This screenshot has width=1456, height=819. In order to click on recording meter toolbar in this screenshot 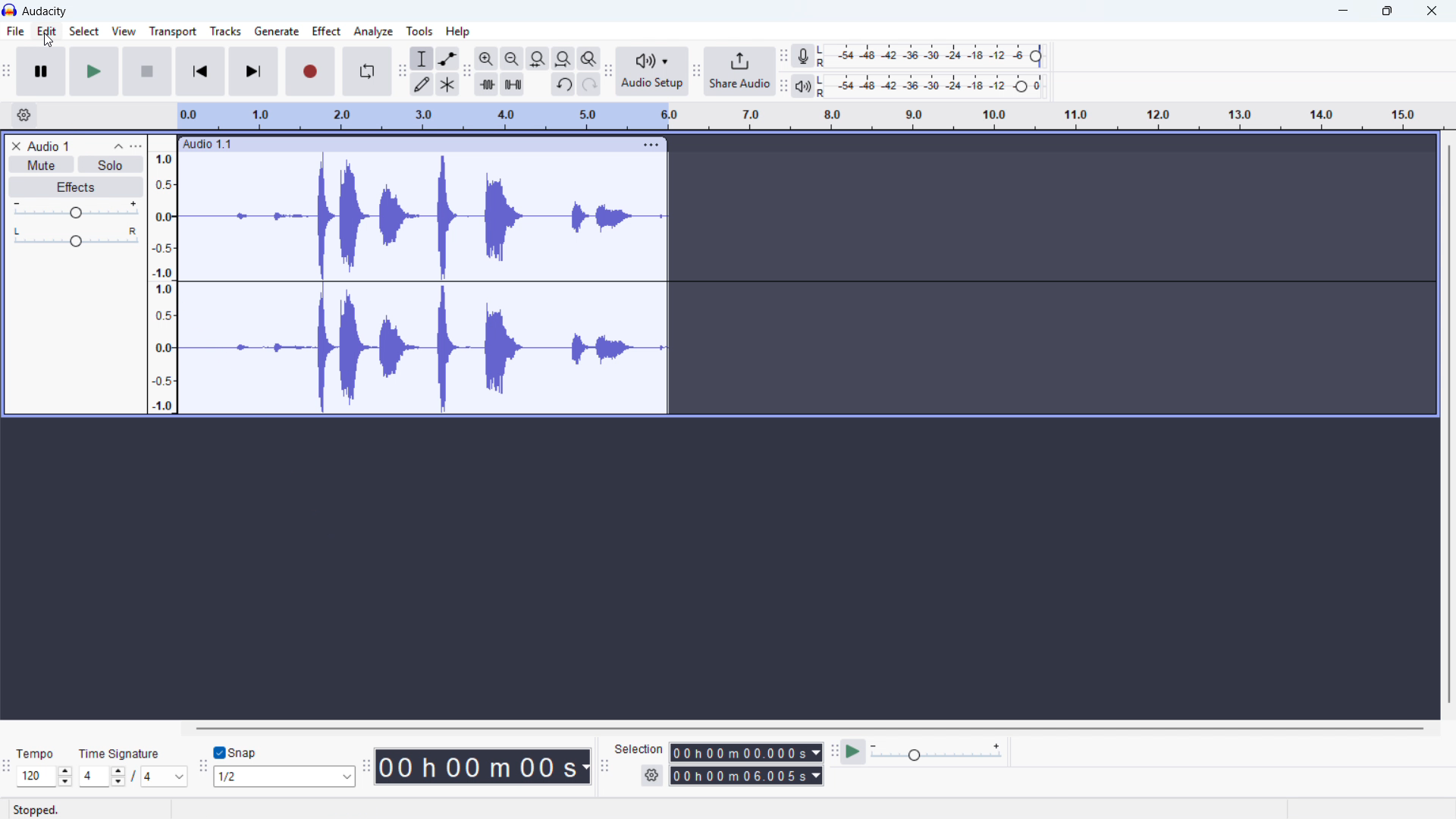, I will do `click(783, 56)`.